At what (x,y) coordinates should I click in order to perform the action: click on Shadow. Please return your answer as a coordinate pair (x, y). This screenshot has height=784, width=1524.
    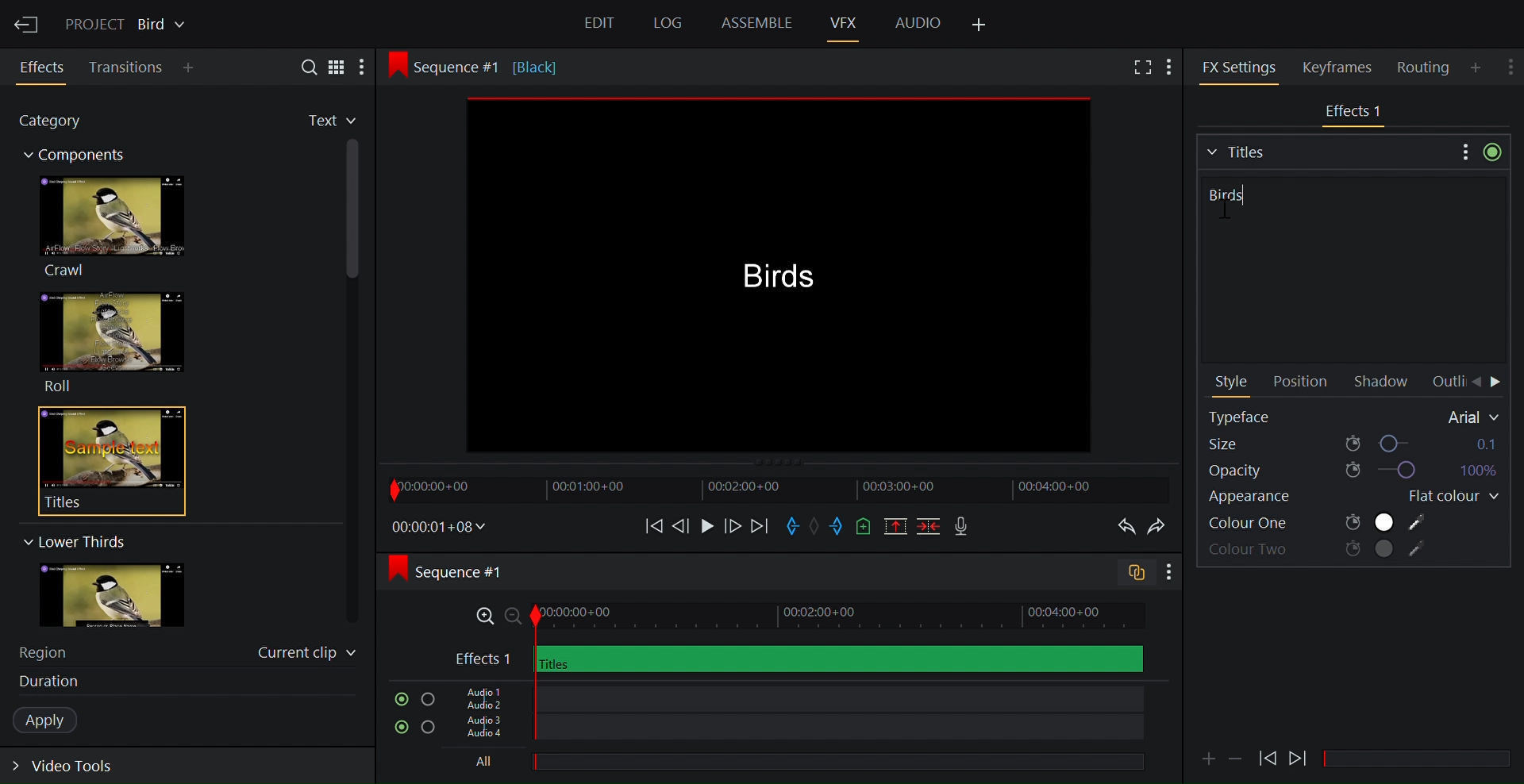
    Looking at the image, I should click on (1385, 382).